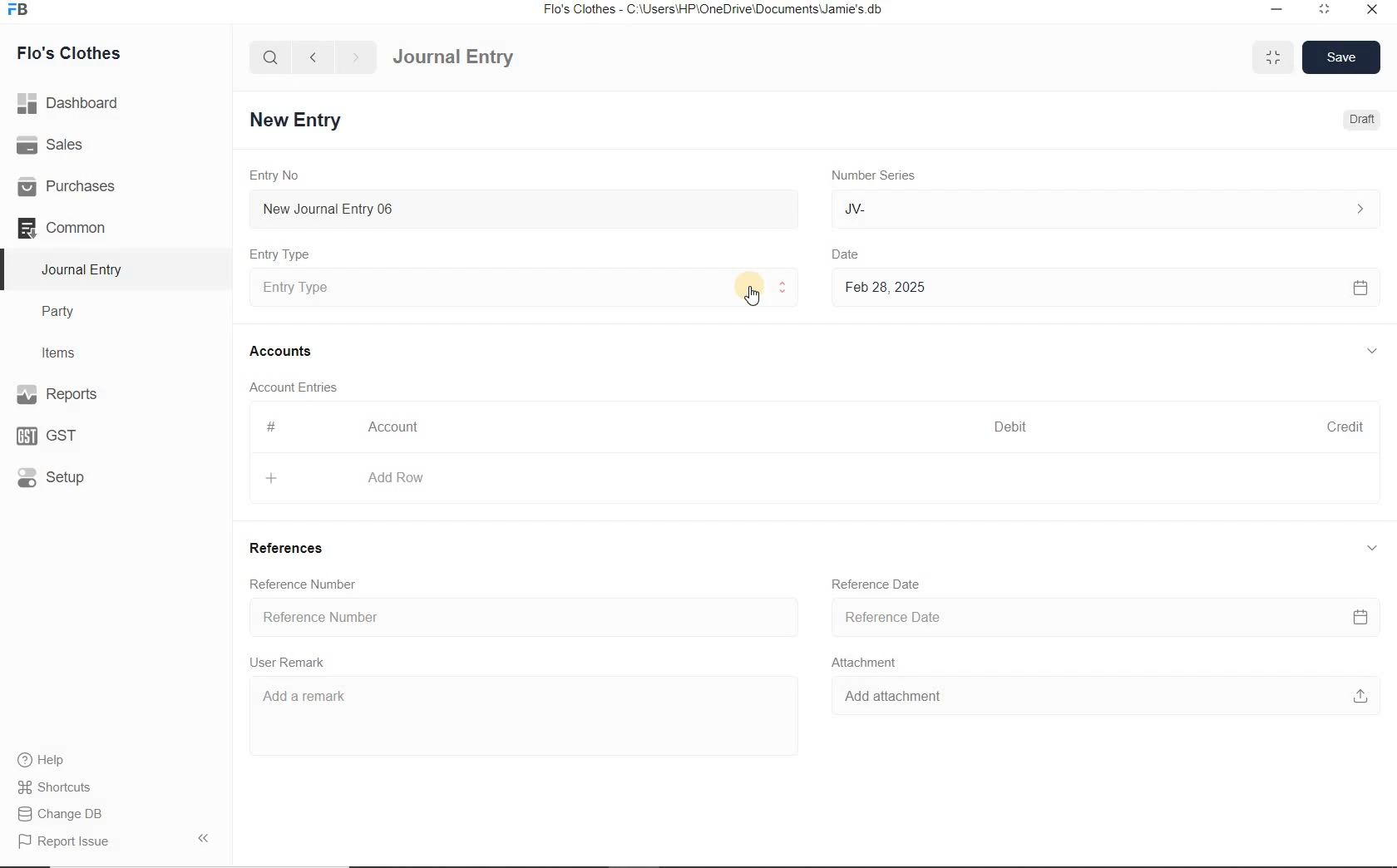  Describe the element at coordinates (1371, 8) in the screenshot. I see `close` at that location.